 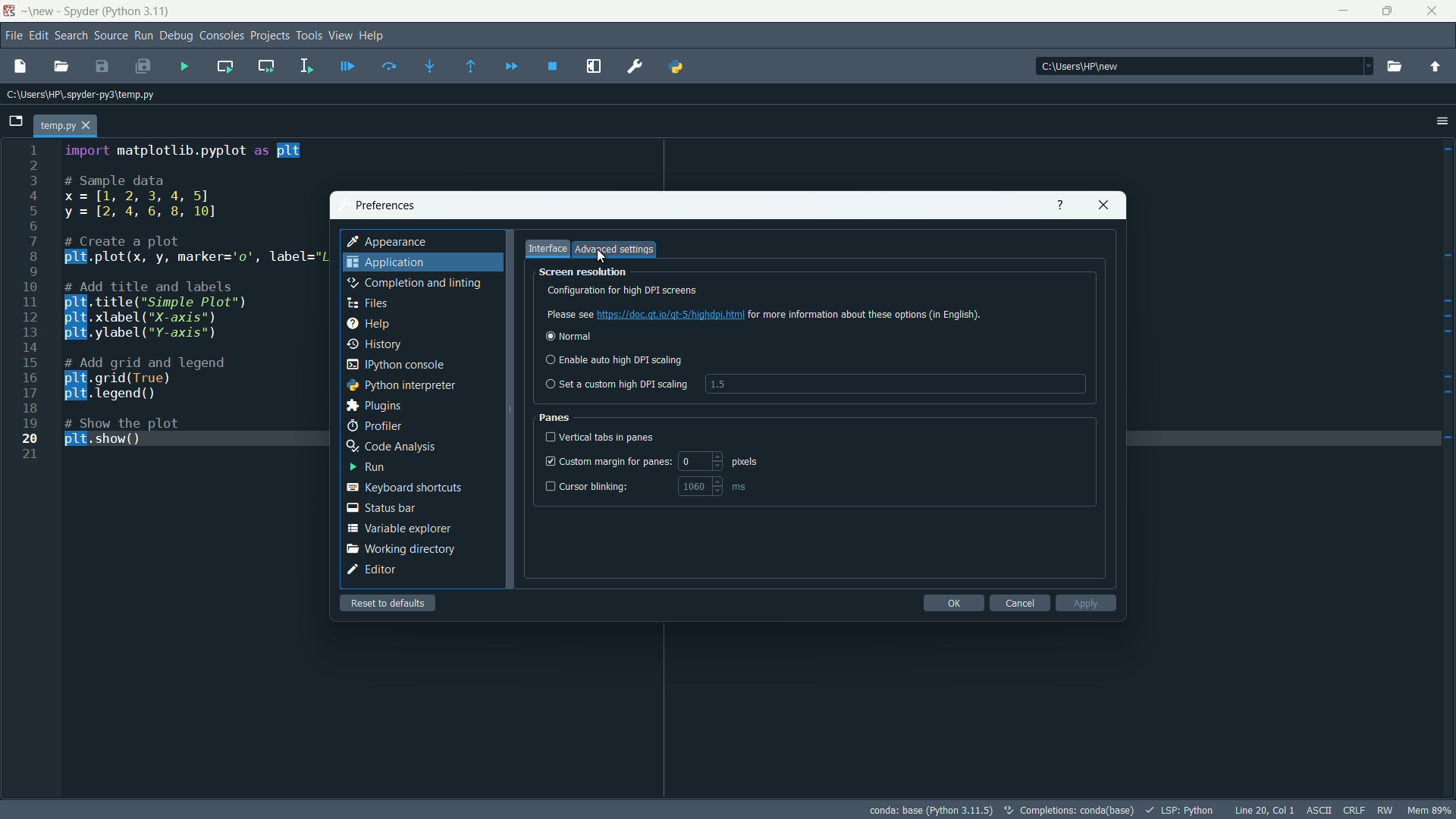 What do you see at coordinates (11, 36) in the screenshot?
I see `file` at bounding box center [11, 36].